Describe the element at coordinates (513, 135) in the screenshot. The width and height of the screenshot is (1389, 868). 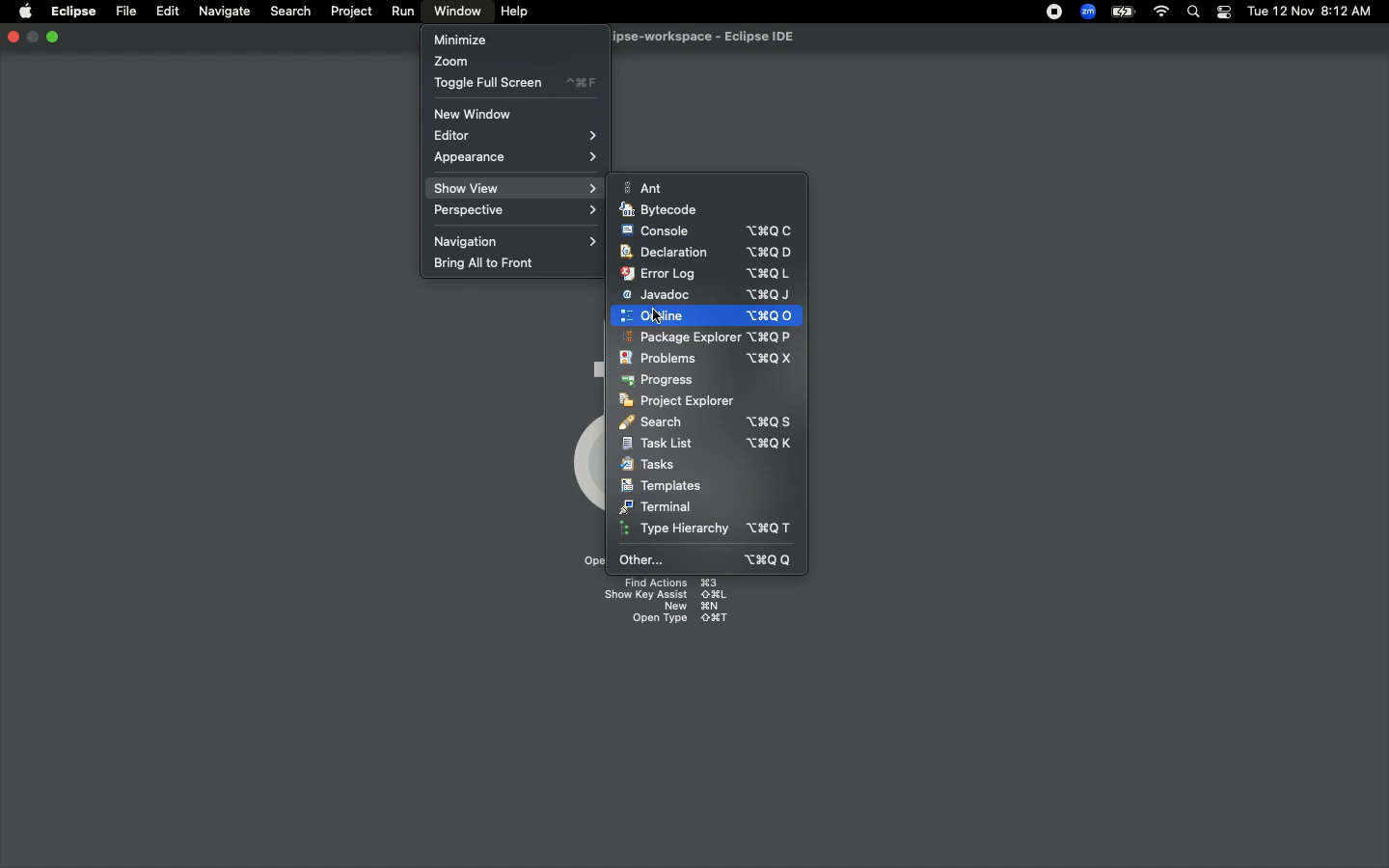
I see `Editor` at that location.